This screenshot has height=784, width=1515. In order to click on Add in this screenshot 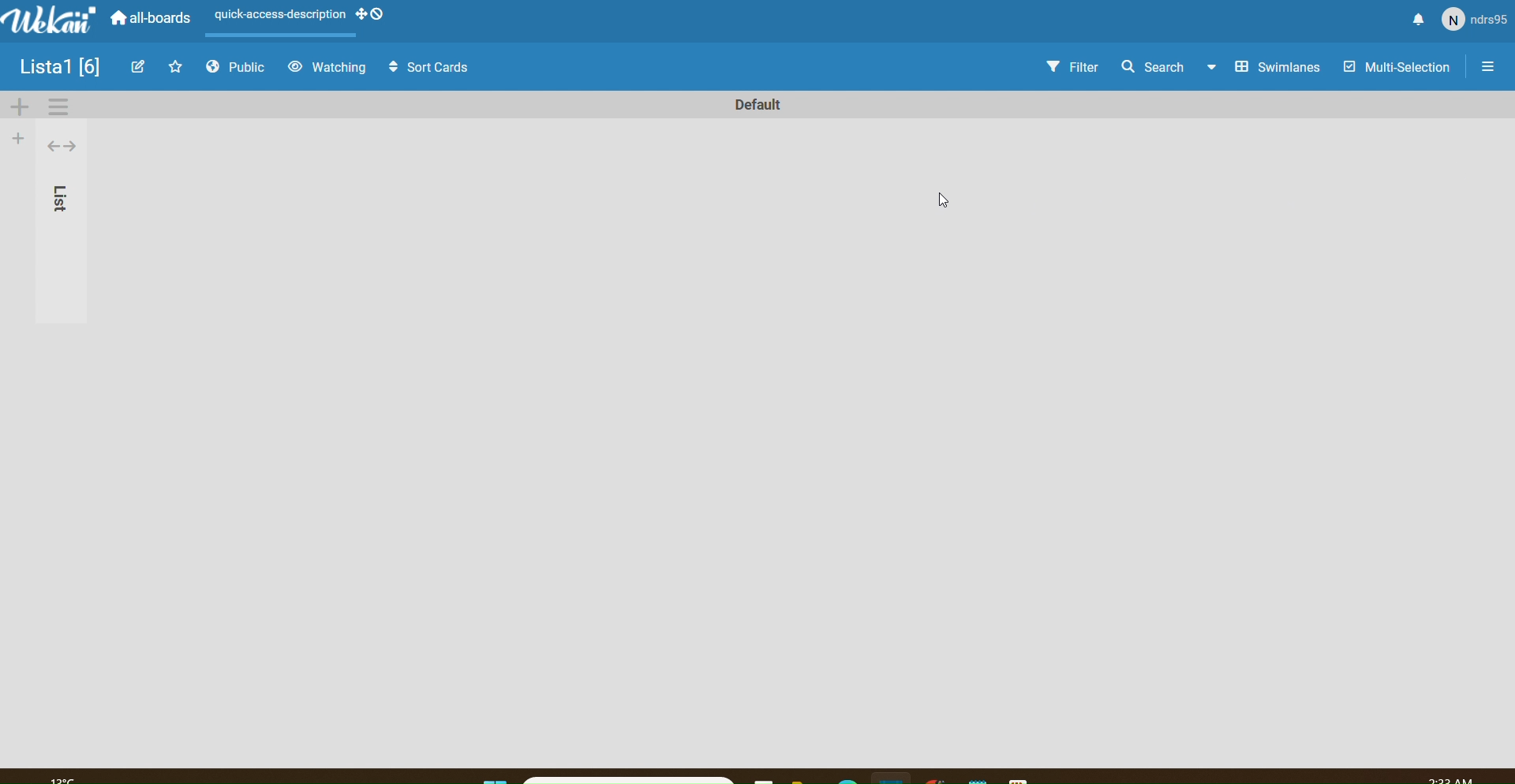, I will do `click(16, 141)`.